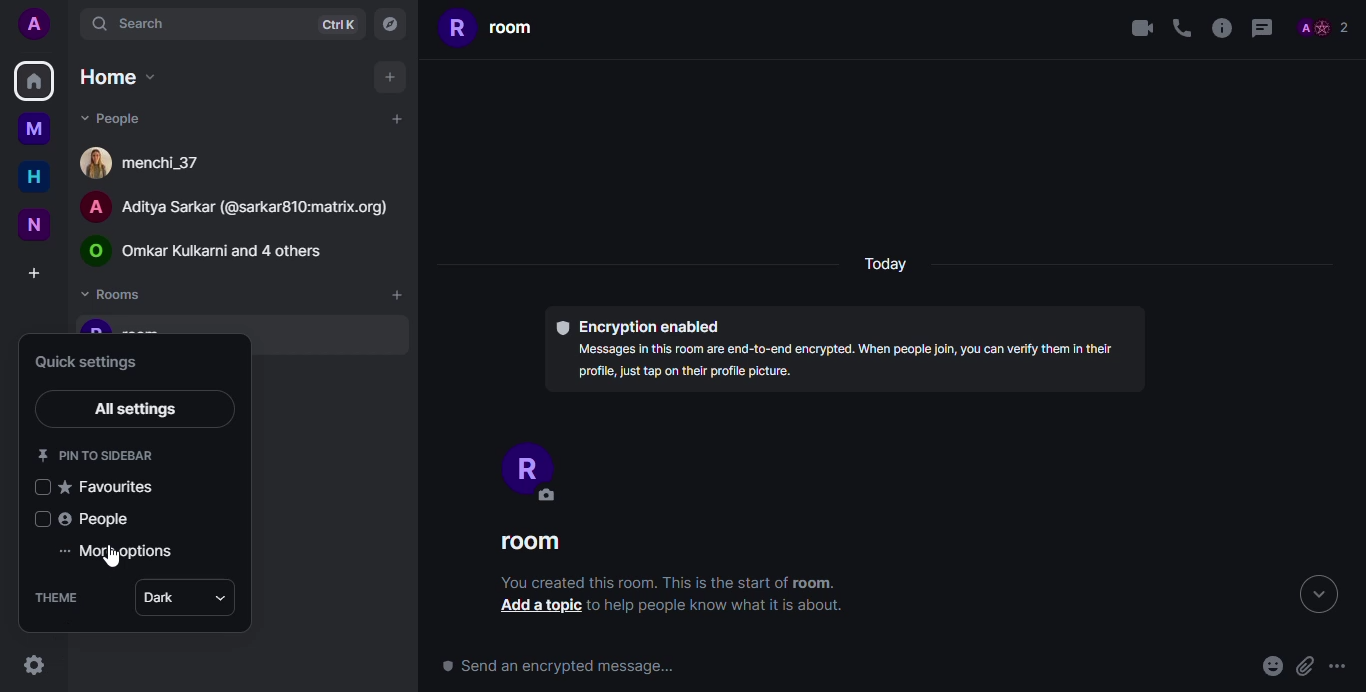 Image resolution: width=1366 pixels, height=692 pixels. I want to click on Aditya Sarkar room, so click(246, 206).